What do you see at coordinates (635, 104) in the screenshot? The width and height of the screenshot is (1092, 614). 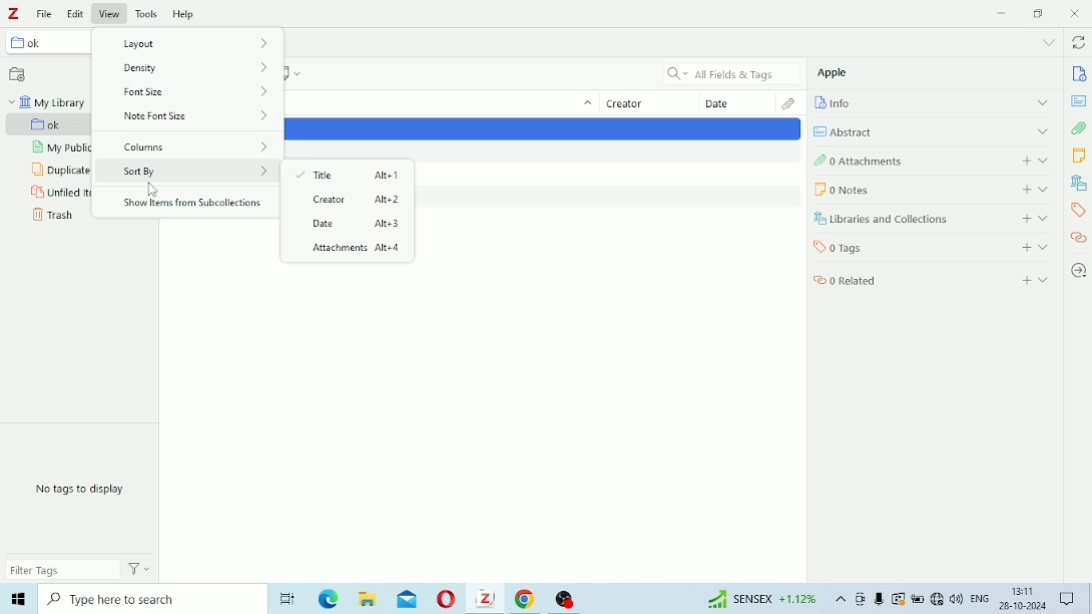 I see `Creator` at bounding box center [635, 104].